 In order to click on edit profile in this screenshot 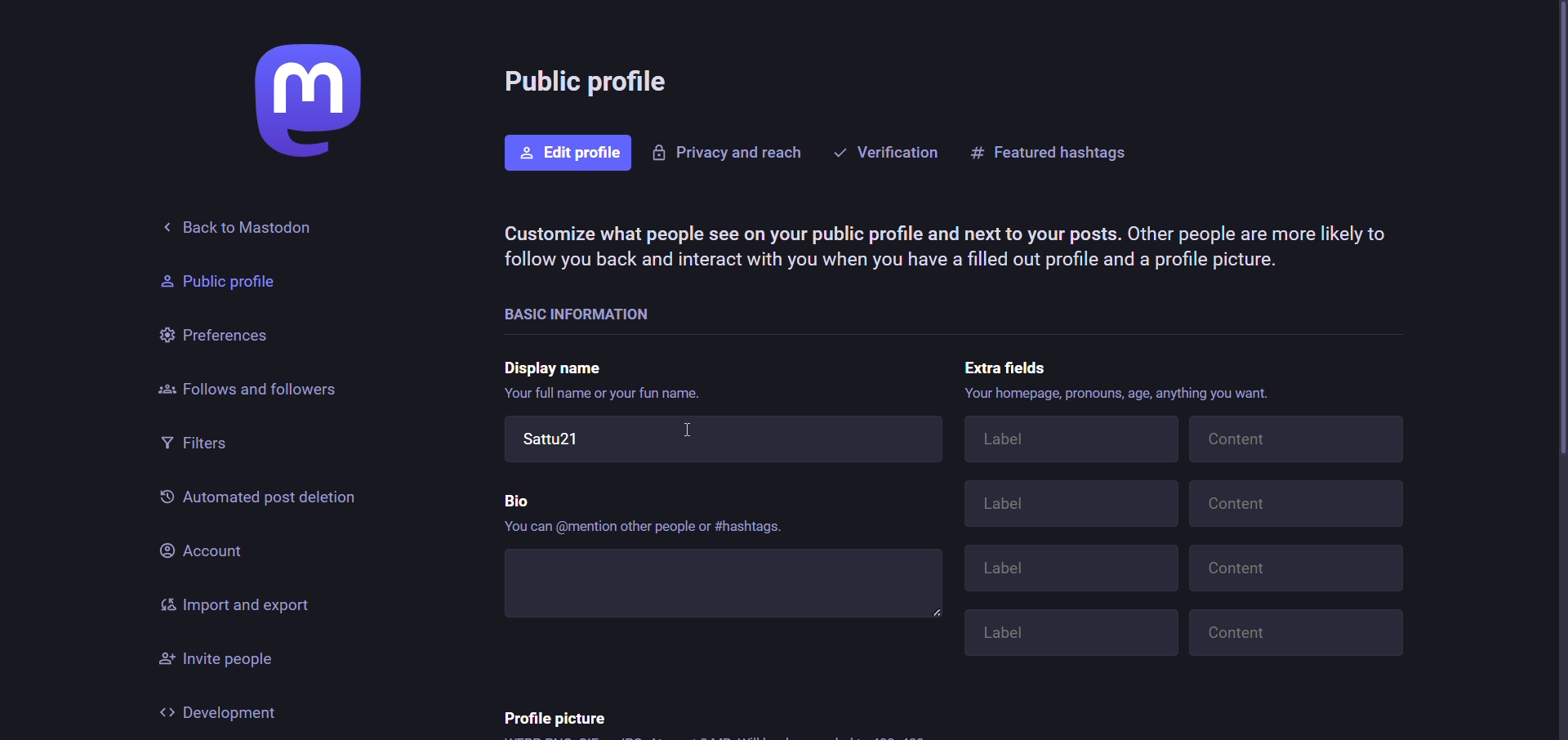, I will do `click(568, 154)`.